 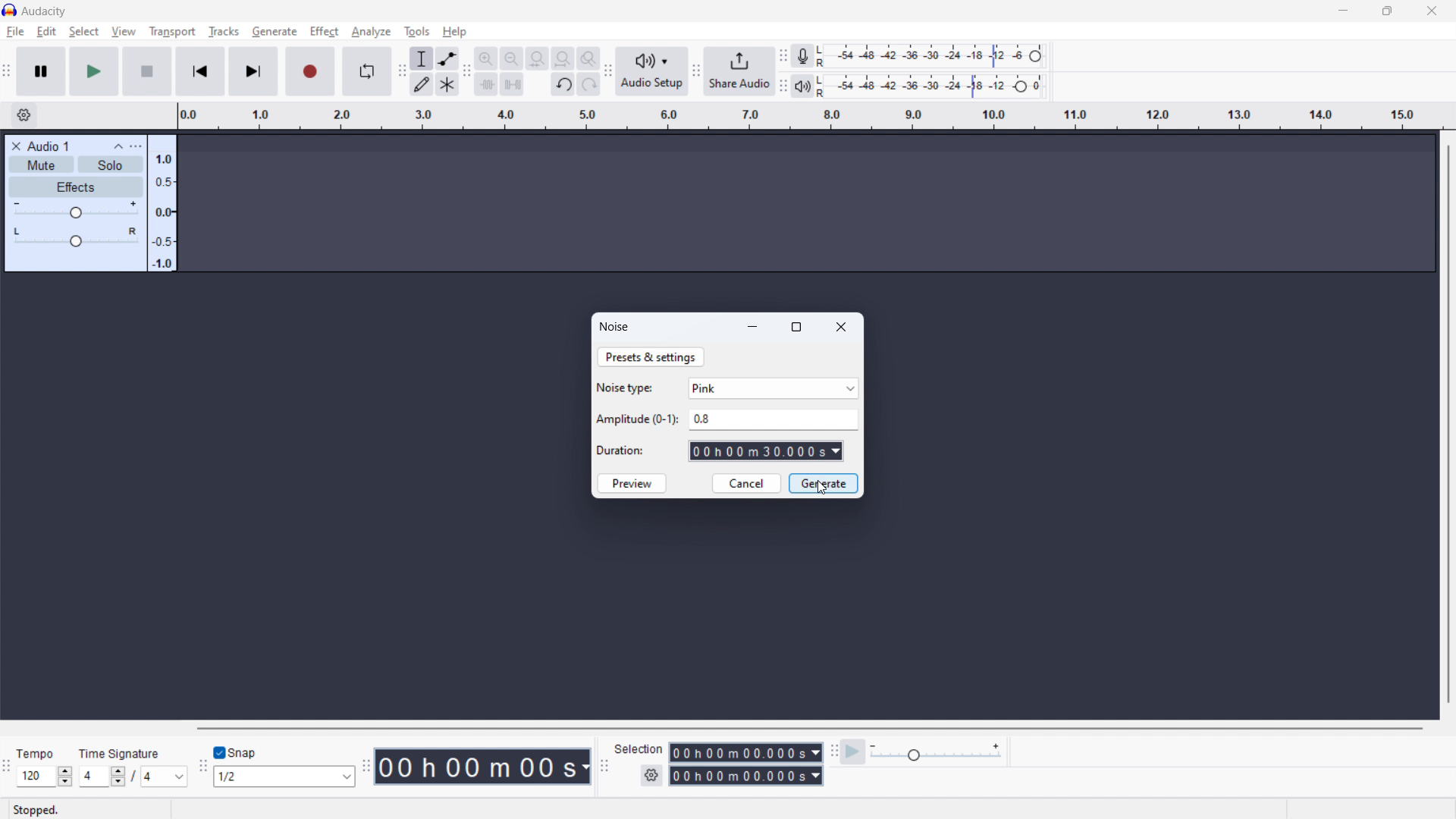 I want to click on stop, so click(x=147, y=72).